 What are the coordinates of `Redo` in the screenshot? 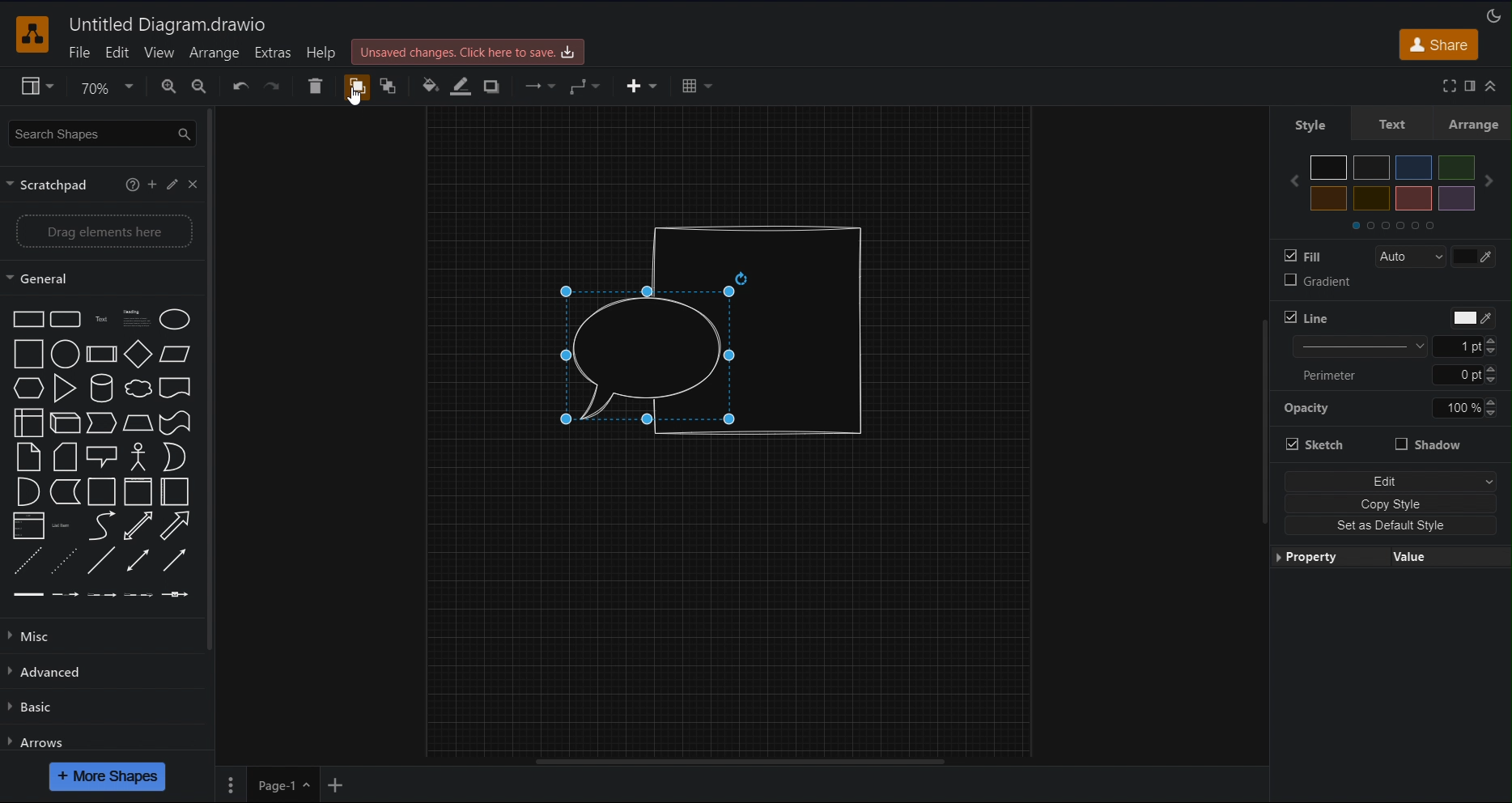 It's located at (274, 86).